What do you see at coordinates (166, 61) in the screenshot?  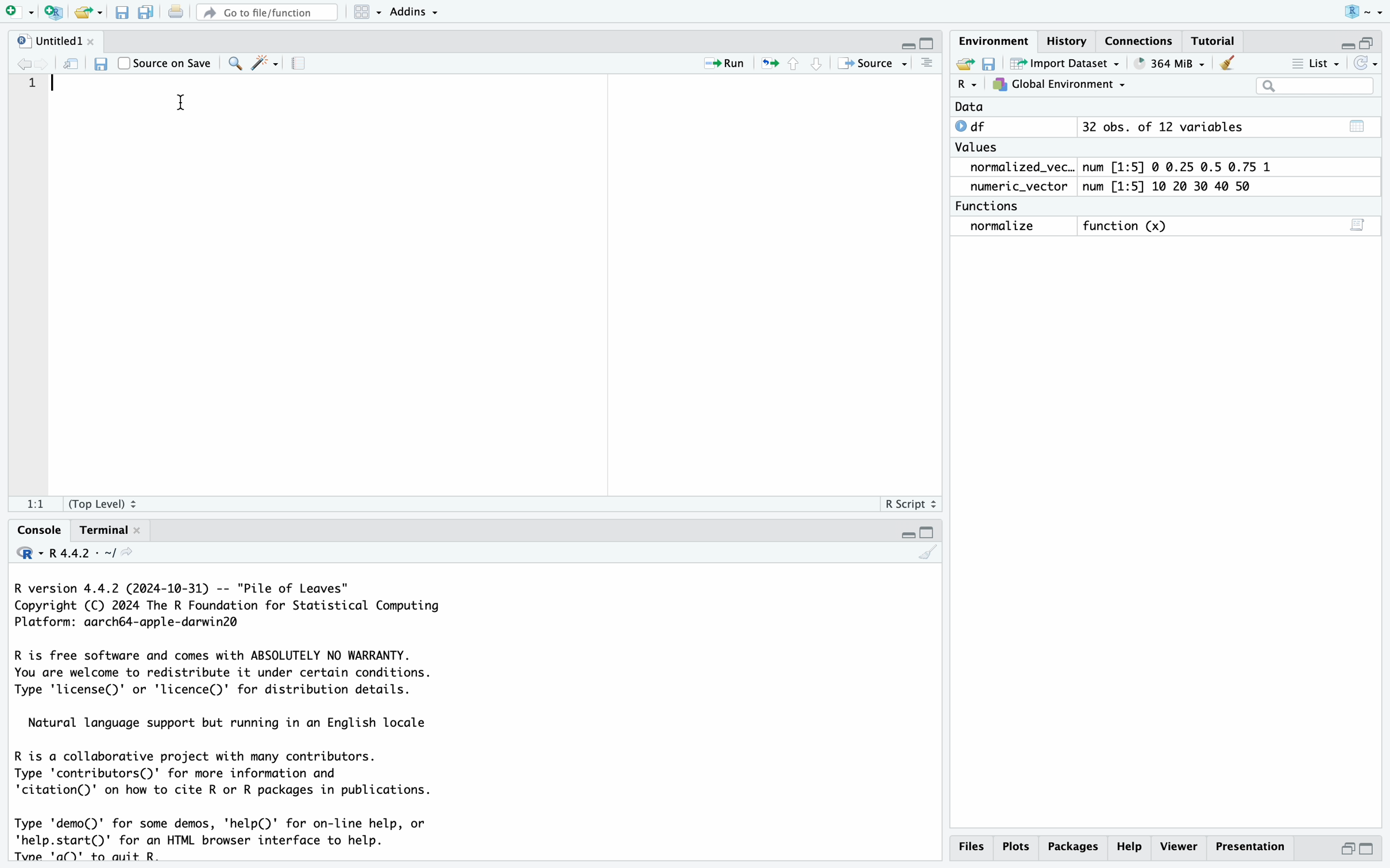 I see `Source on Save` at bounding box center [166, 61].